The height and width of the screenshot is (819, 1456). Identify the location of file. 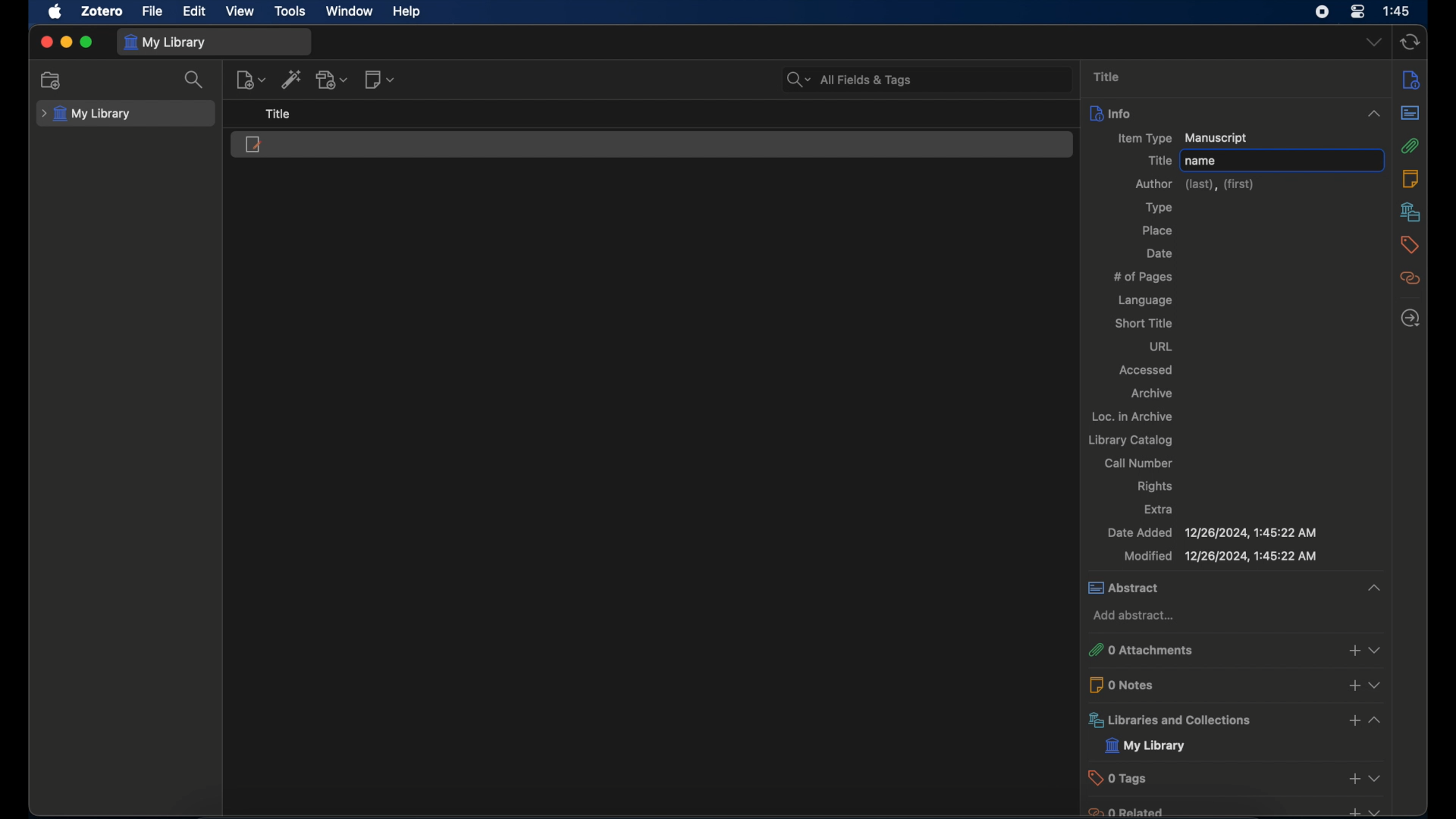
(153, 11).